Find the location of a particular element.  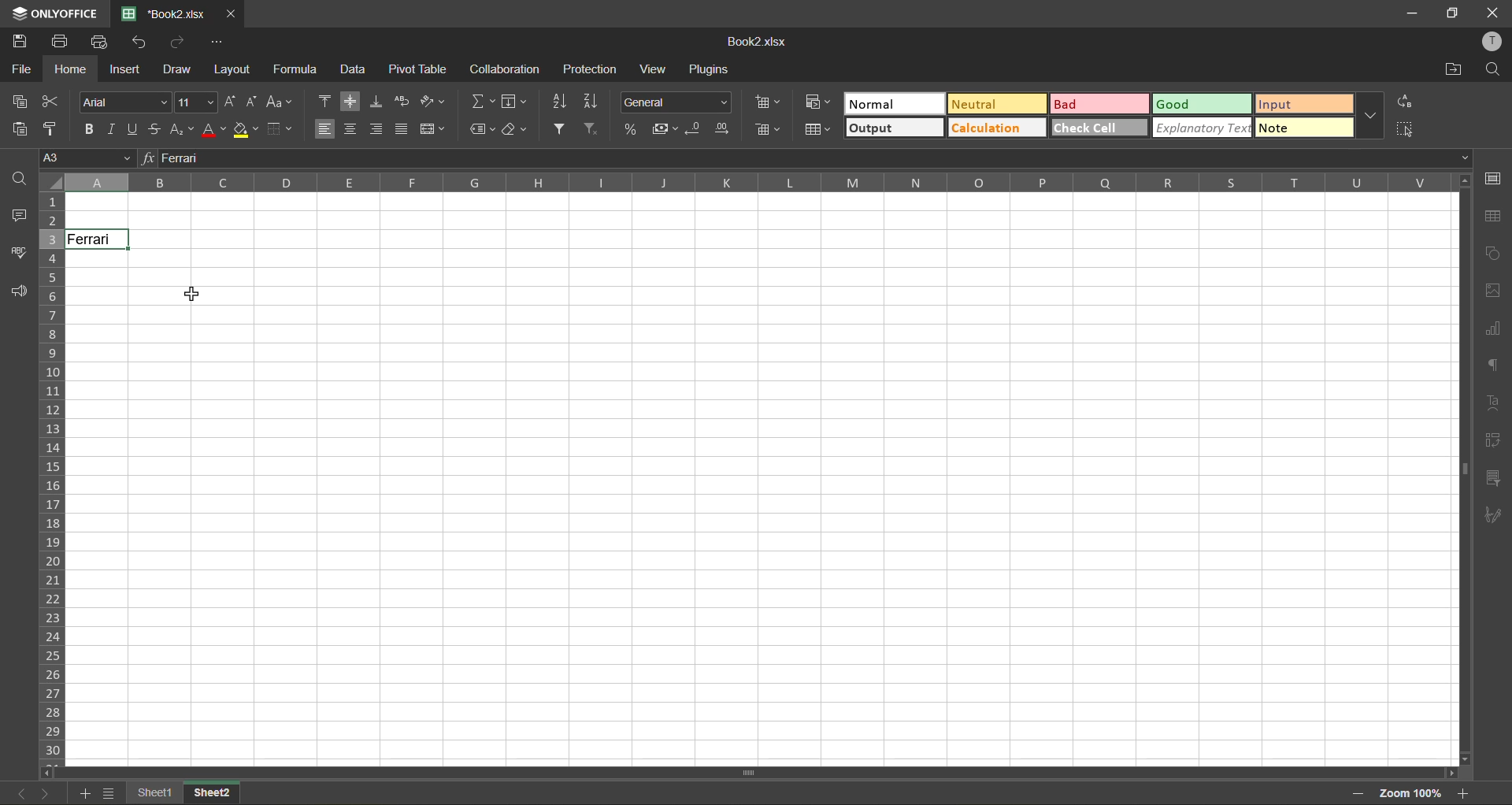

merge and center is located at coordinates (431, 128).